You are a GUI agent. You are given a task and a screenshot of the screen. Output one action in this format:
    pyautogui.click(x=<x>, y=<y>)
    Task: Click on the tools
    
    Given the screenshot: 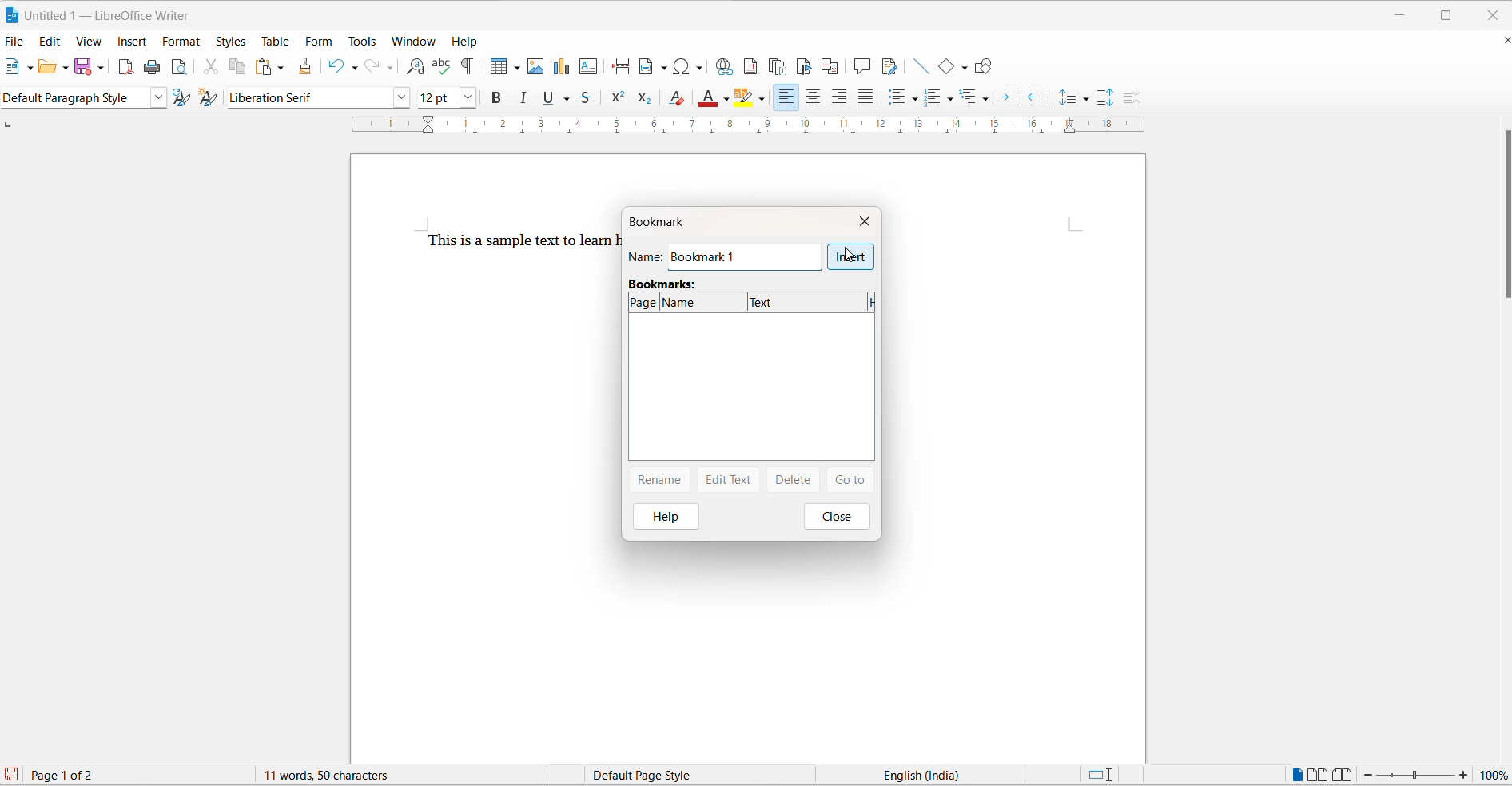 What is the action you would take?
    pyautogui.click(x=364, y=40)
    